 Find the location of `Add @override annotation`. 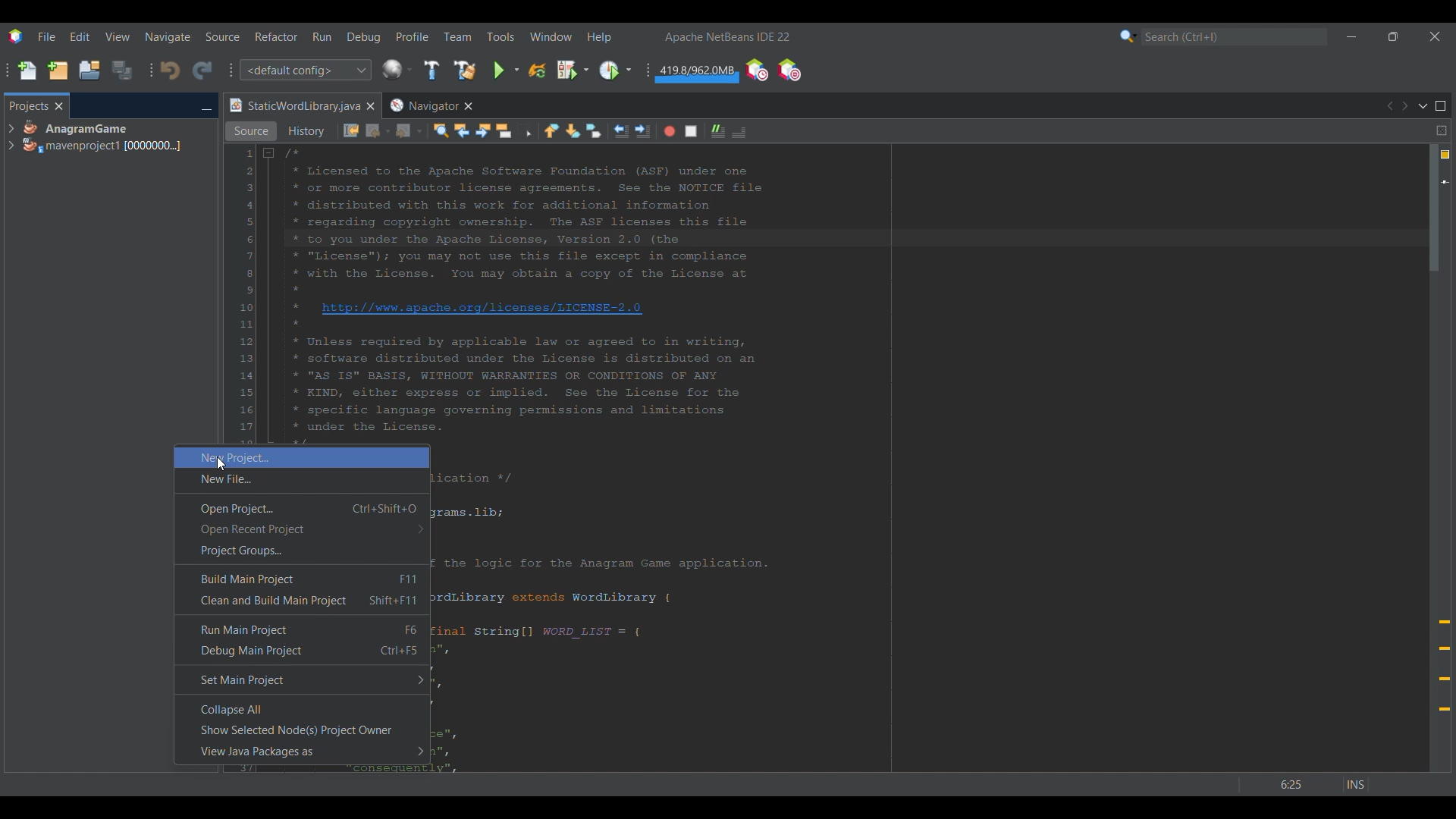

Add @override annotation is located at coordinates (1445, 666).